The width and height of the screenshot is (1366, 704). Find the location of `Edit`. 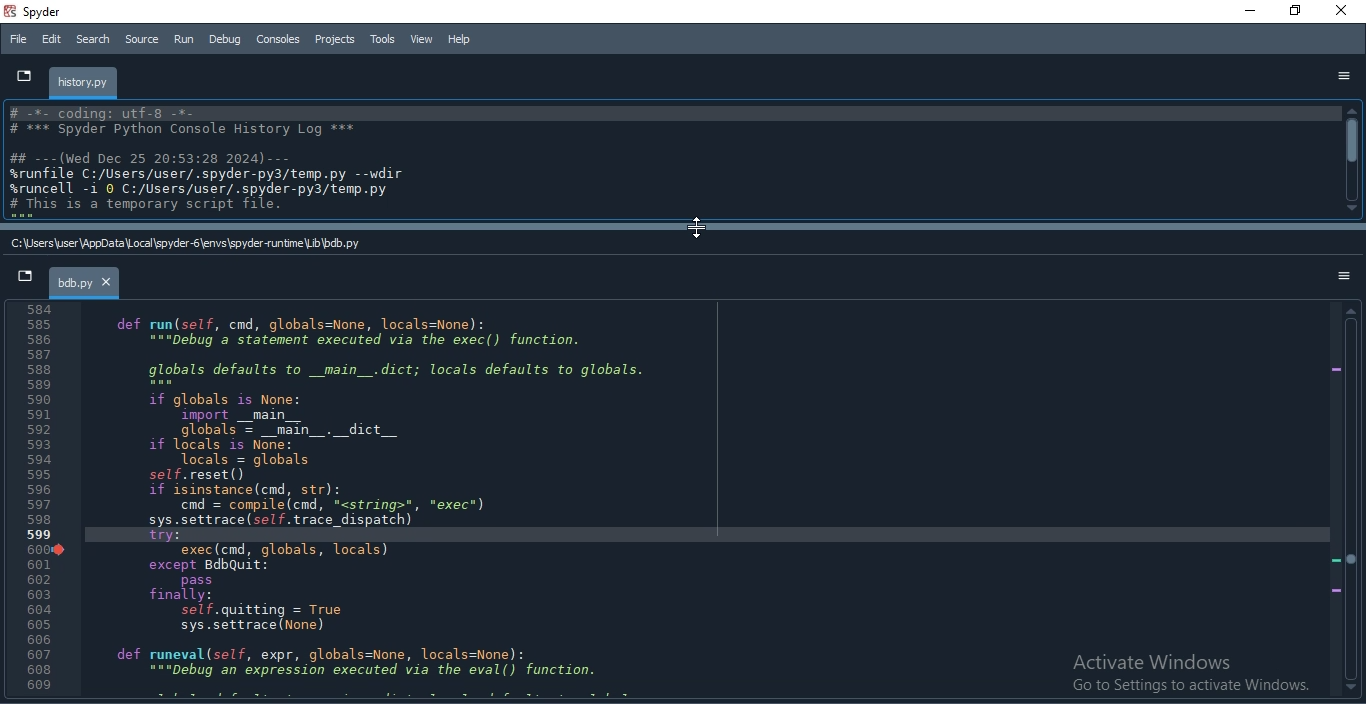

Edit is located at coordinates (52, 41).